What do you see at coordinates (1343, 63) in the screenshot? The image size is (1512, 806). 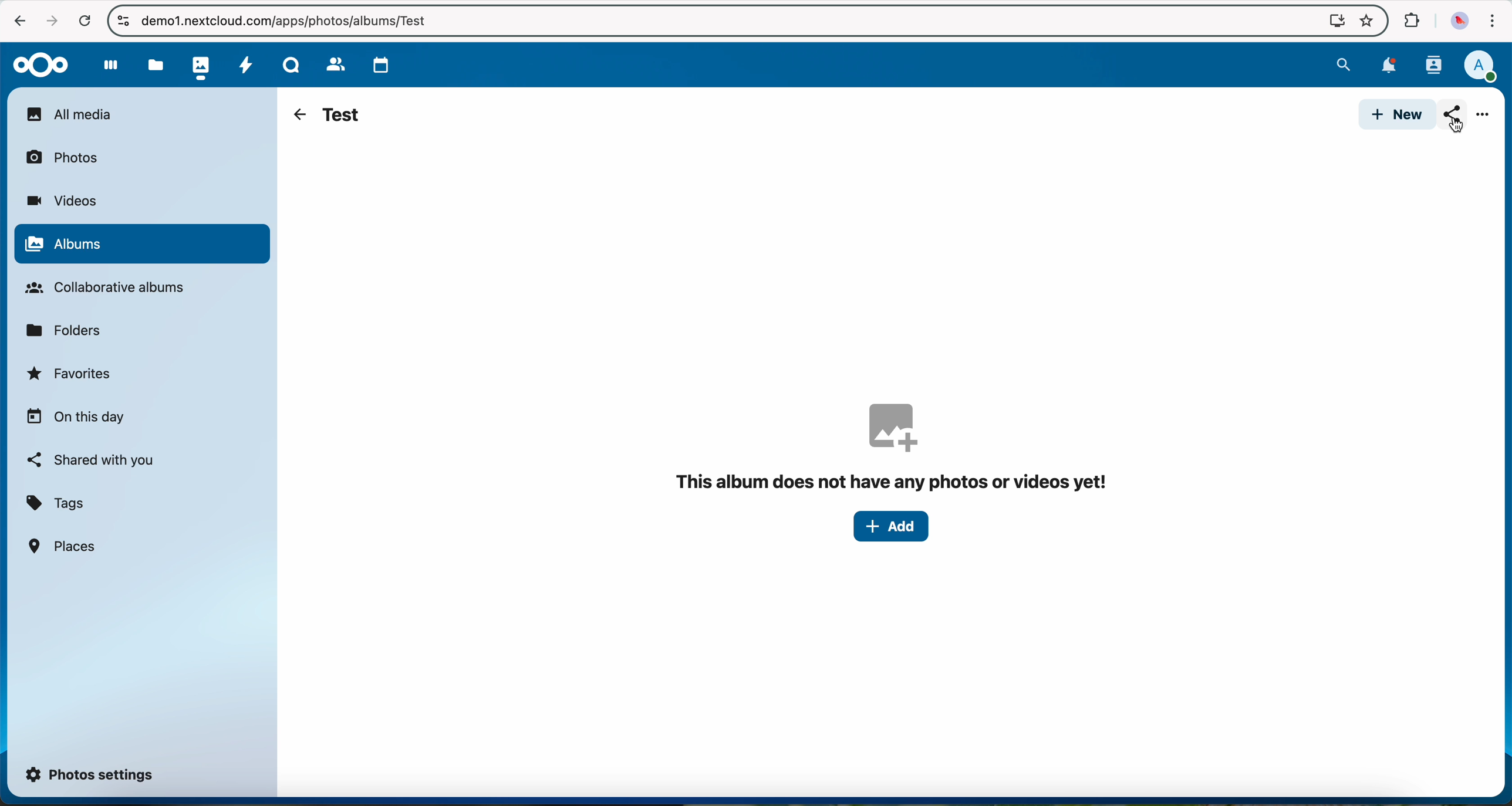 I see `search` at bounding box center [1343, 63].